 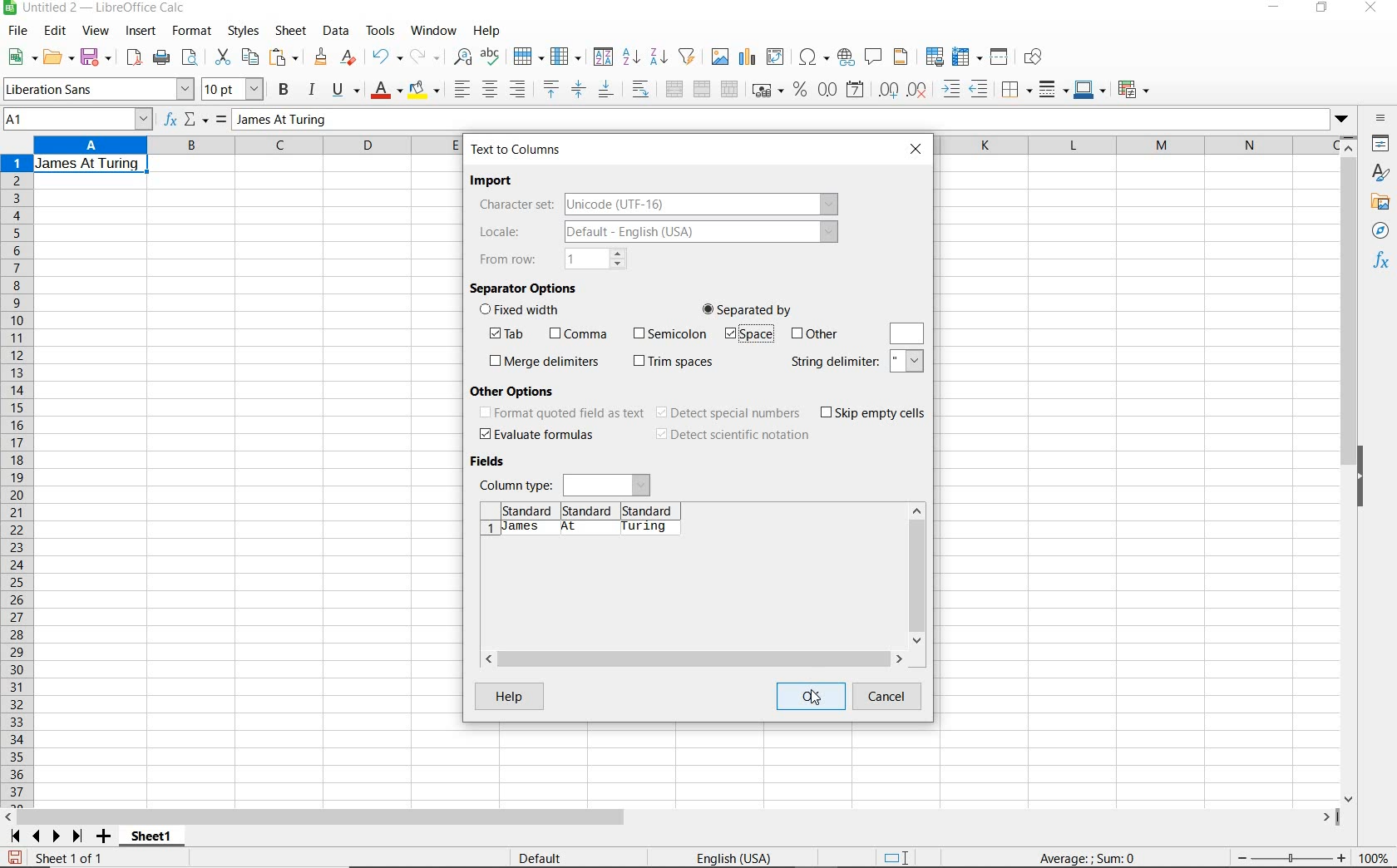 What do you see at coordinates (526, 287) in the screenshot?
I see `separator options` at bounding box center [526, 287].